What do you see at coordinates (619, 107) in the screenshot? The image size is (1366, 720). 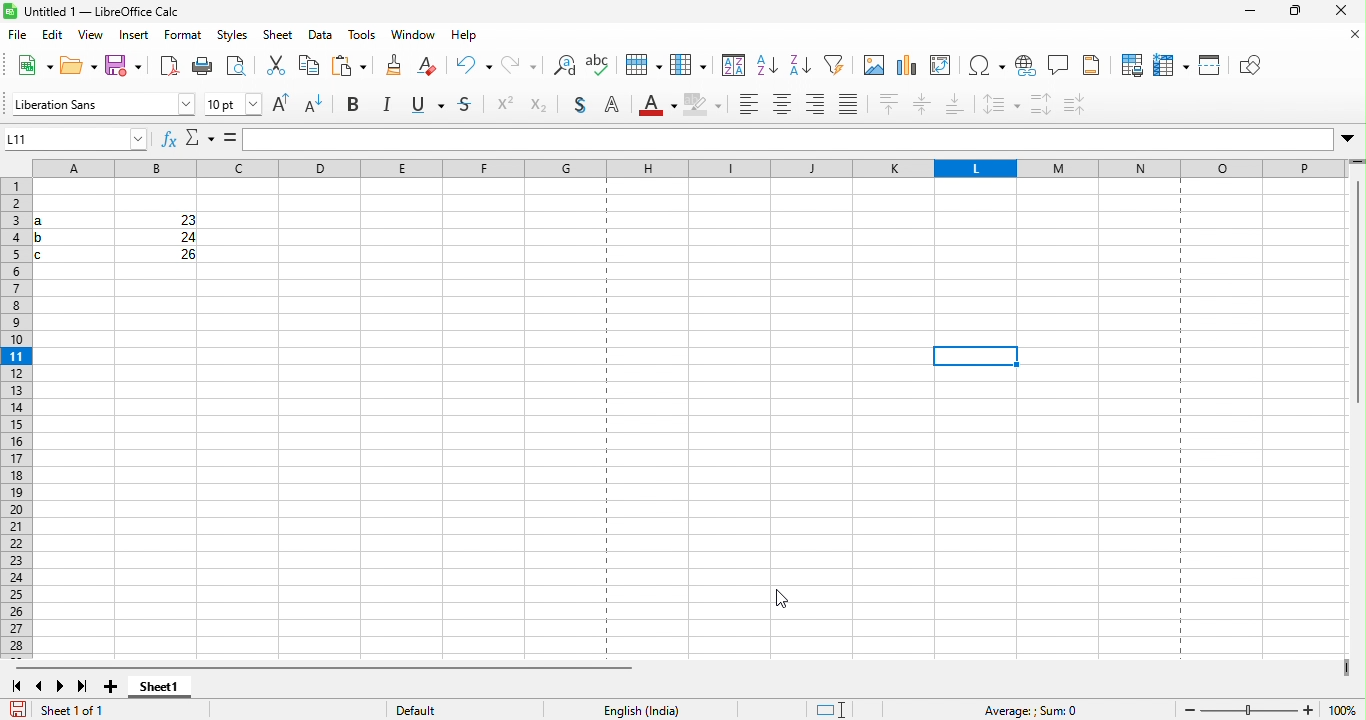 I see `apply outline` at bounding box center [619, 107].